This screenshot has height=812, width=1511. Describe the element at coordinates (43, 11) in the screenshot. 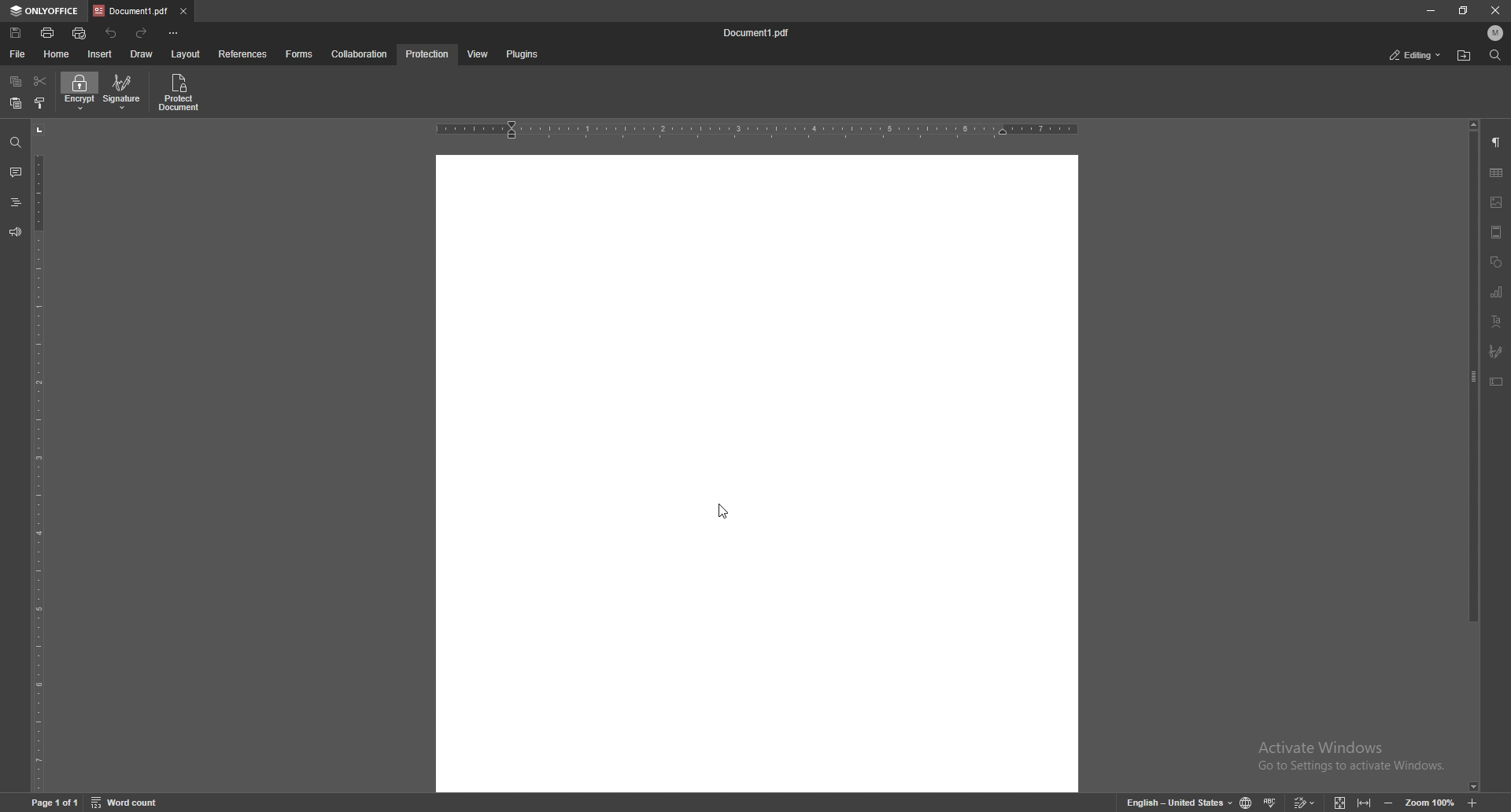

I see `onlyoffice` at that location.